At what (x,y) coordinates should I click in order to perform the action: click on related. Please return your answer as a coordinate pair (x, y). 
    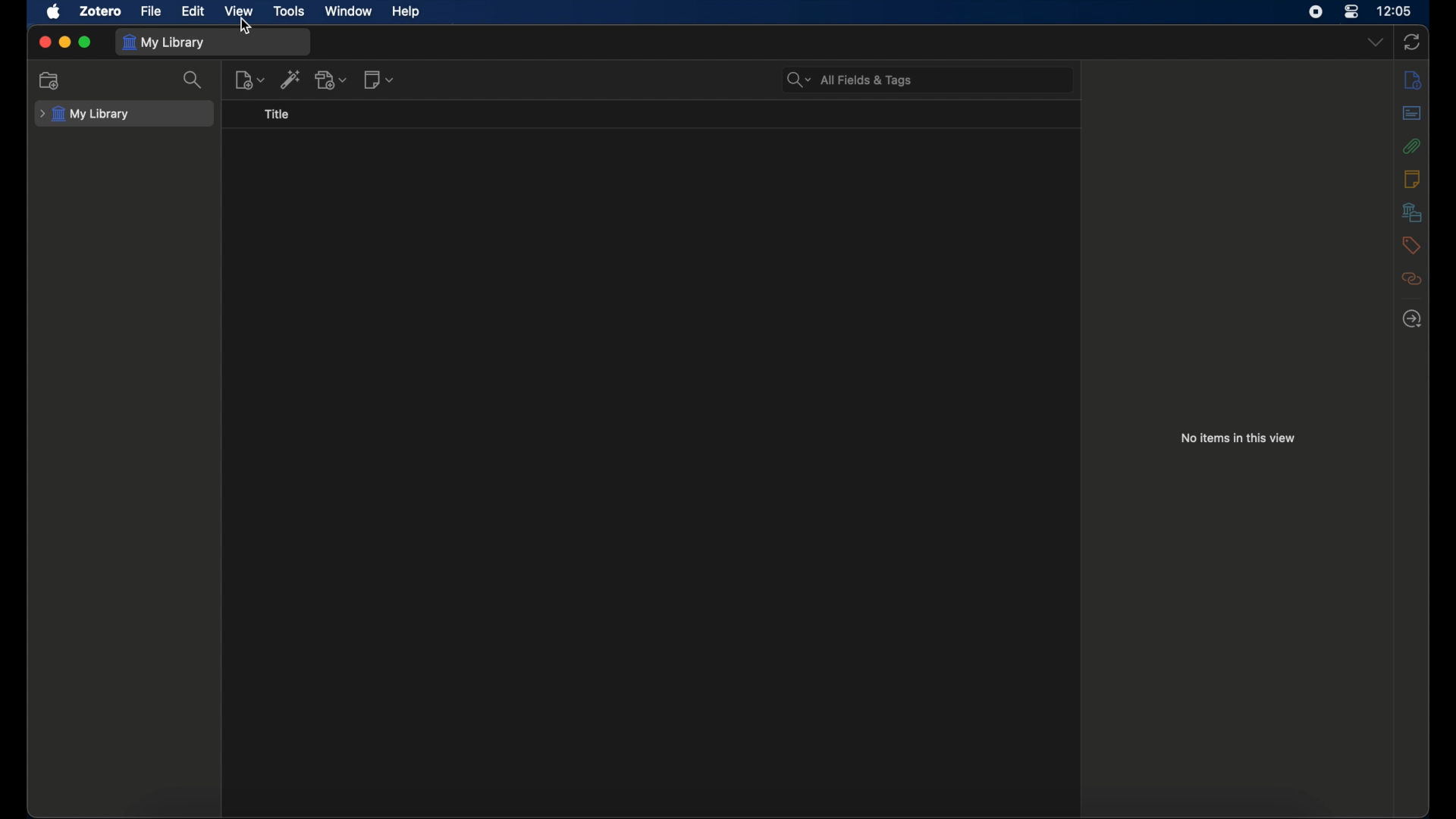
    Looking at the image, I should click on (1412, 278).